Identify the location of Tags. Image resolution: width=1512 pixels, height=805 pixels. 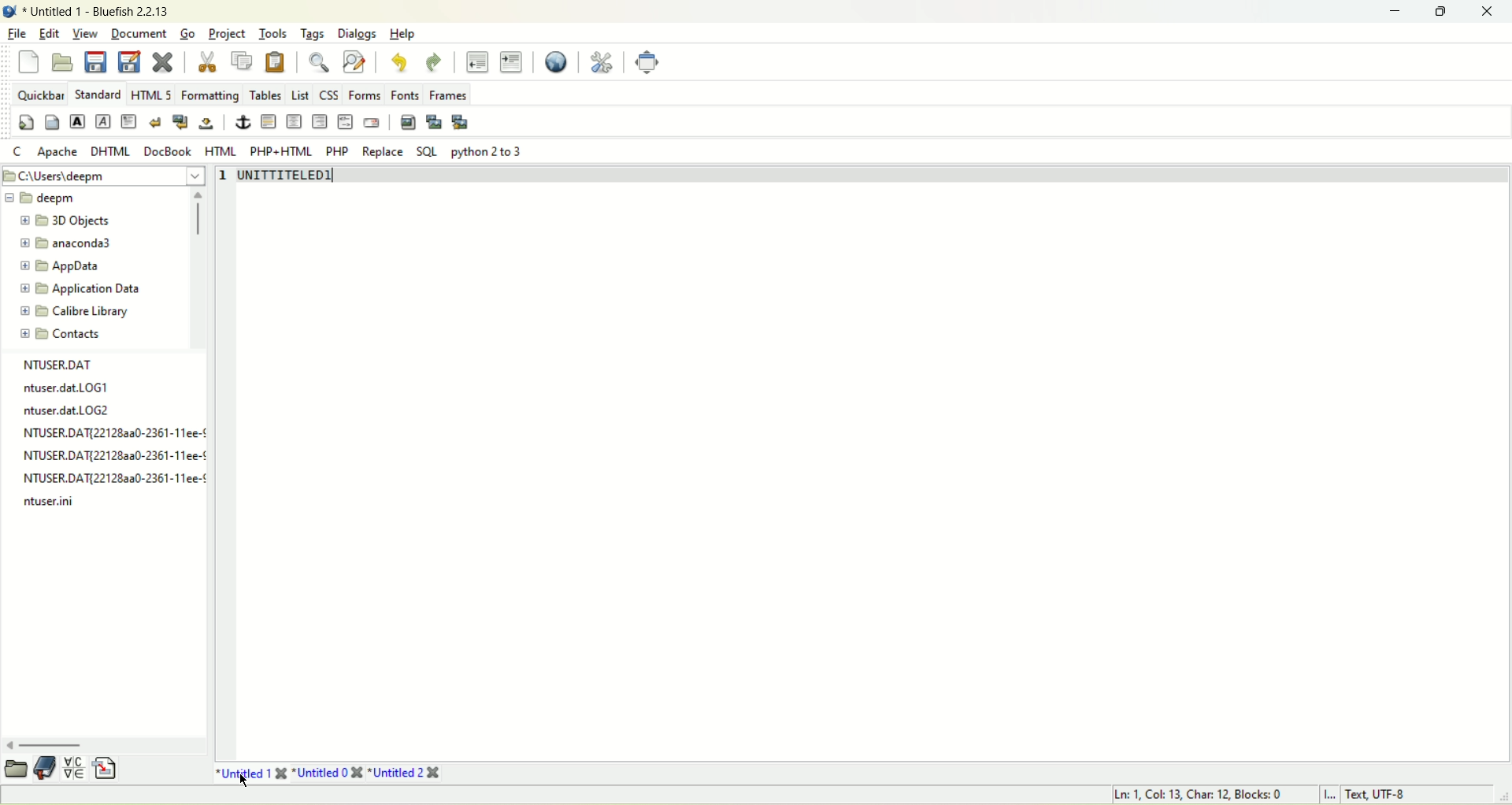
(317, 35).